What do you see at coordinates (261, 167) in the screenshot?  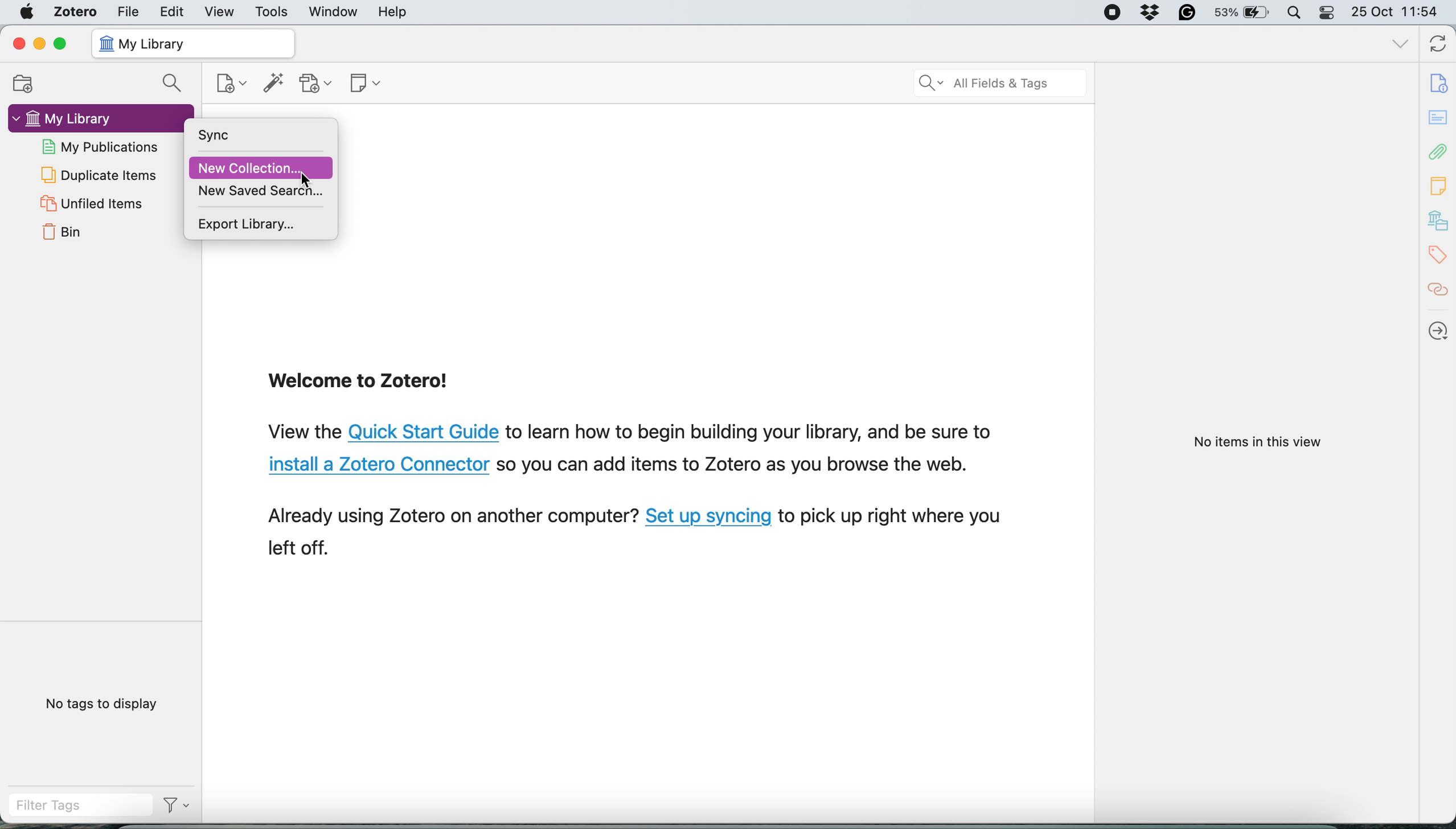 I see `New Collection...` at bounding box center [261, 167].